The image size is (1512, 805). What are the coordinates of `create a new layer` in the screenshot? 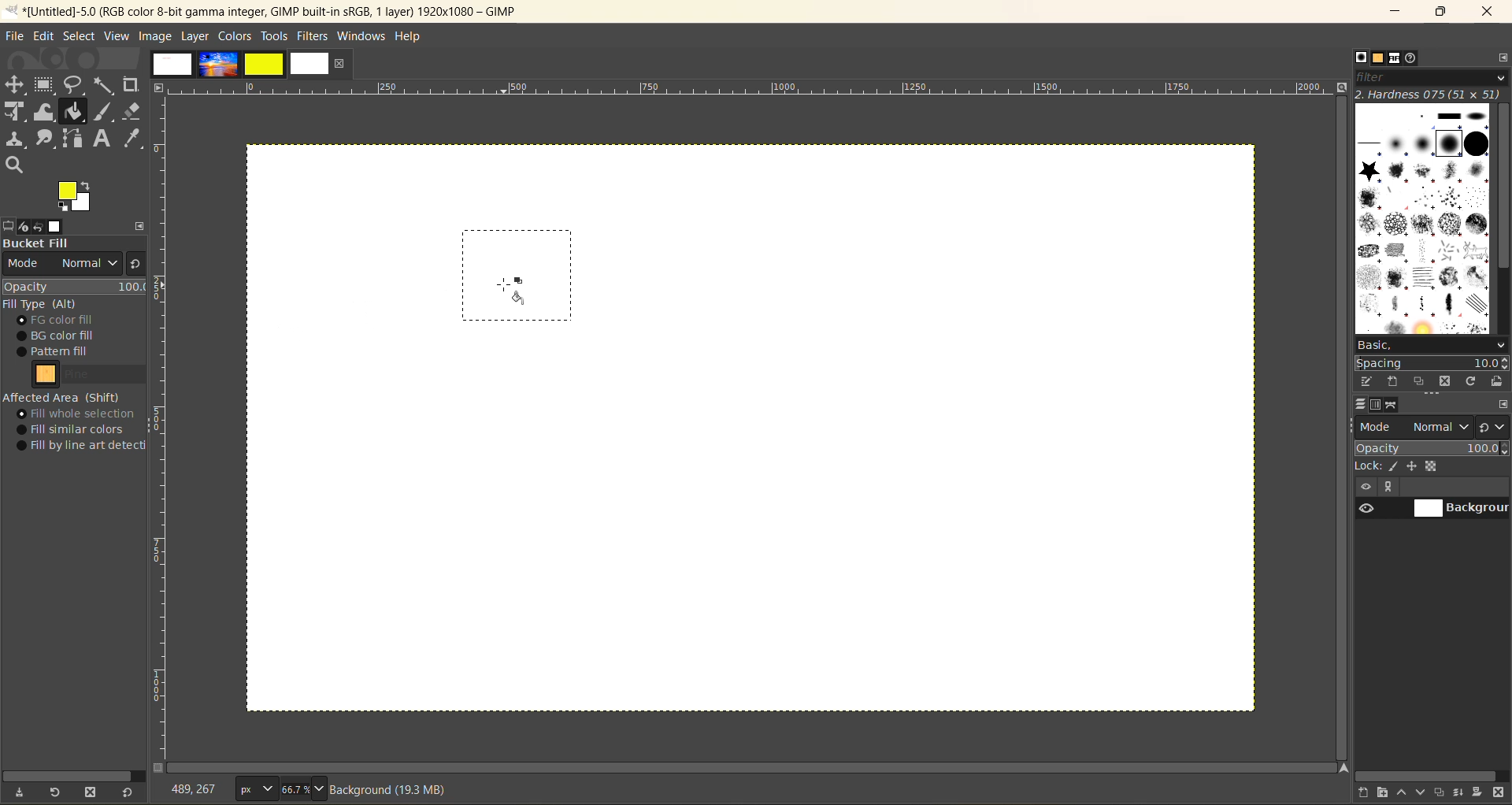 It's located at (1365, 793).